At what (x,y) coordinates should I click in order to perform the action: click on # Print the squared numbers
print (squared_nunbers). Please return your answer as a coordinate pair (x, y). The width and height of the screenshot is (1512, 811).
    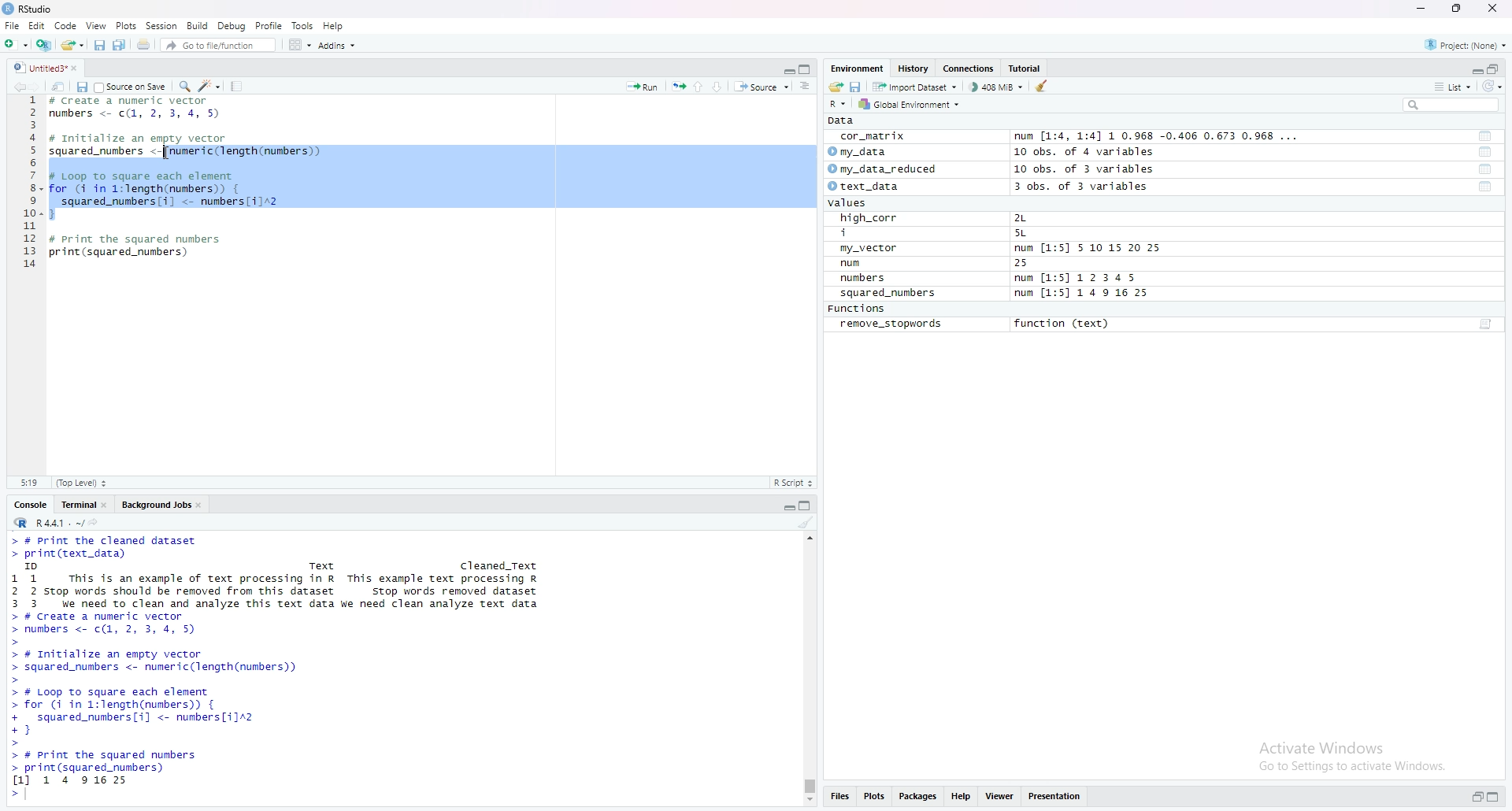
    Looking at the image, I should click on (137, 250).